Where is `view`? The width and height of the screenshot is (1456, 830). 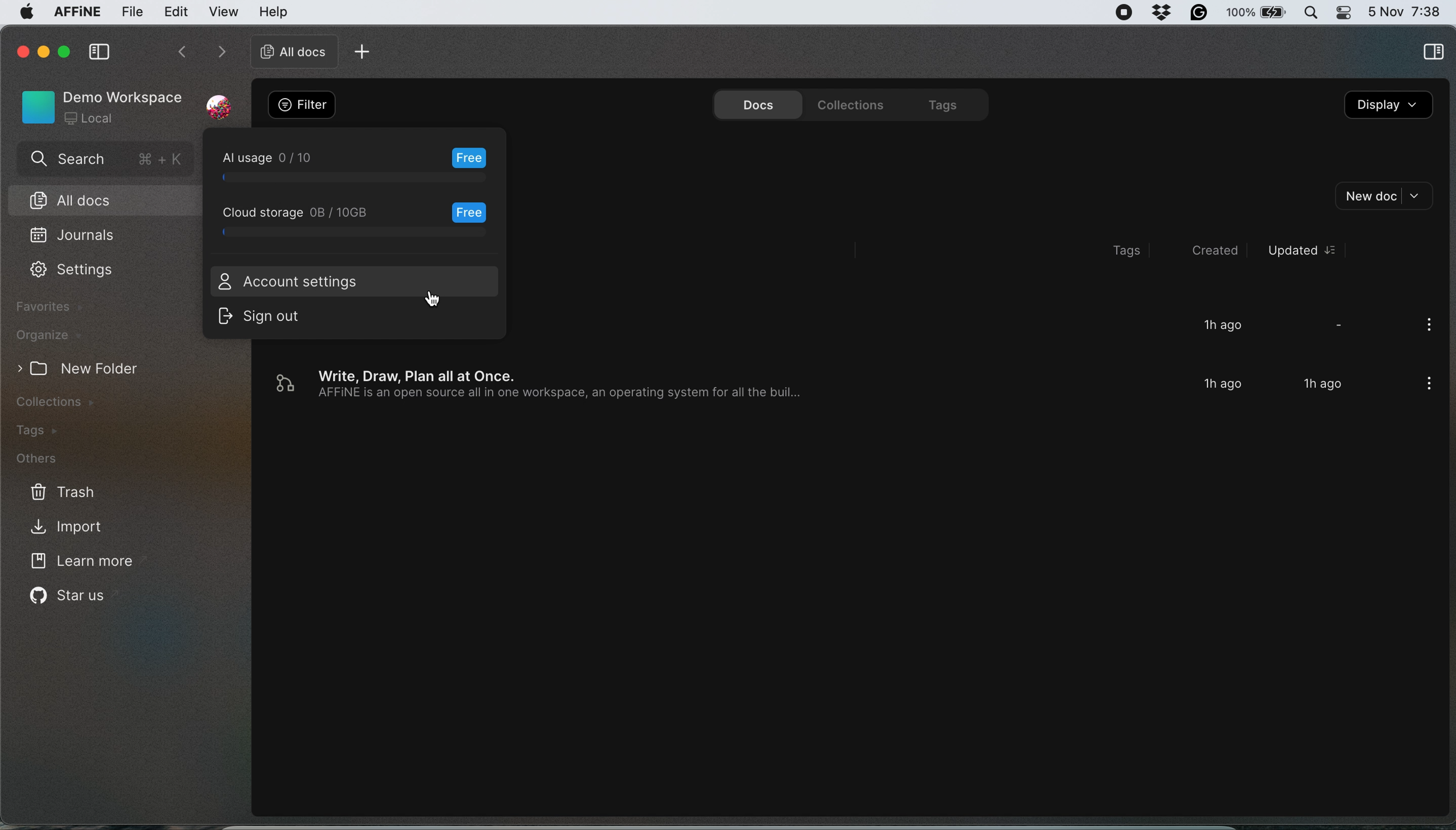 view is located at coordinates (225, 12).